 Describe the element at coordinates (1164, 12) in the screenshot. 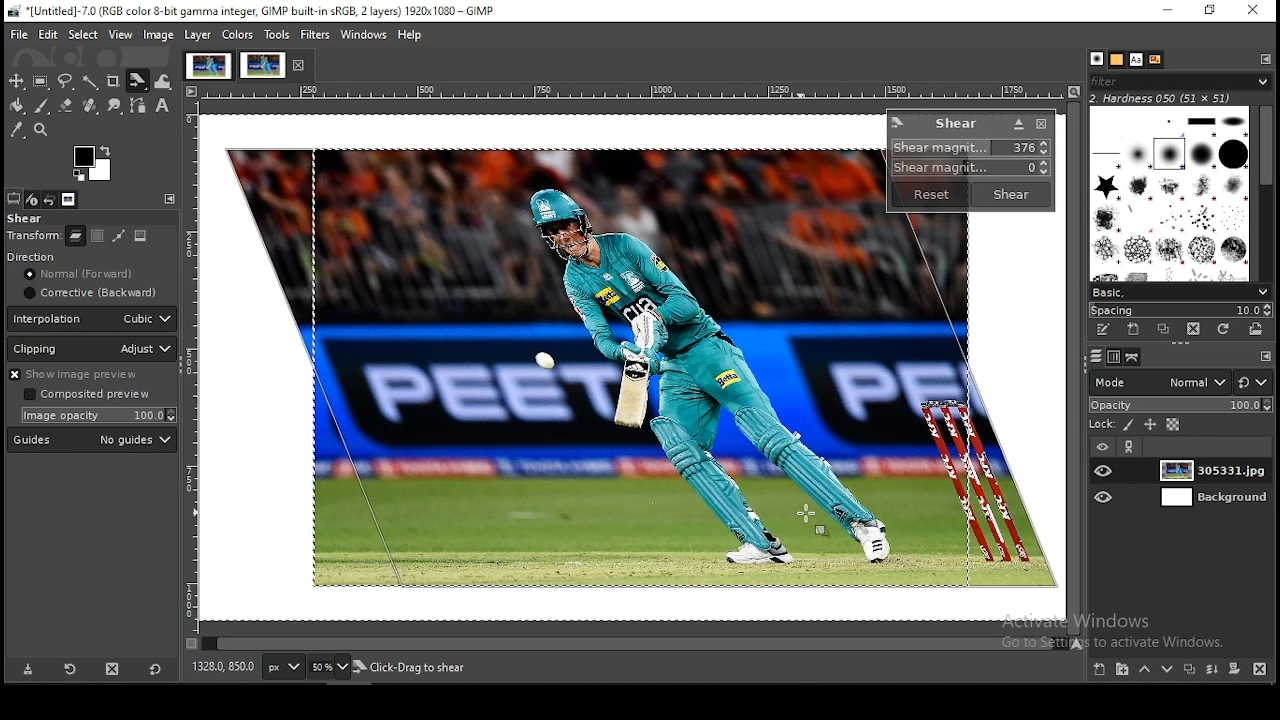

I see `minimize` at that location.